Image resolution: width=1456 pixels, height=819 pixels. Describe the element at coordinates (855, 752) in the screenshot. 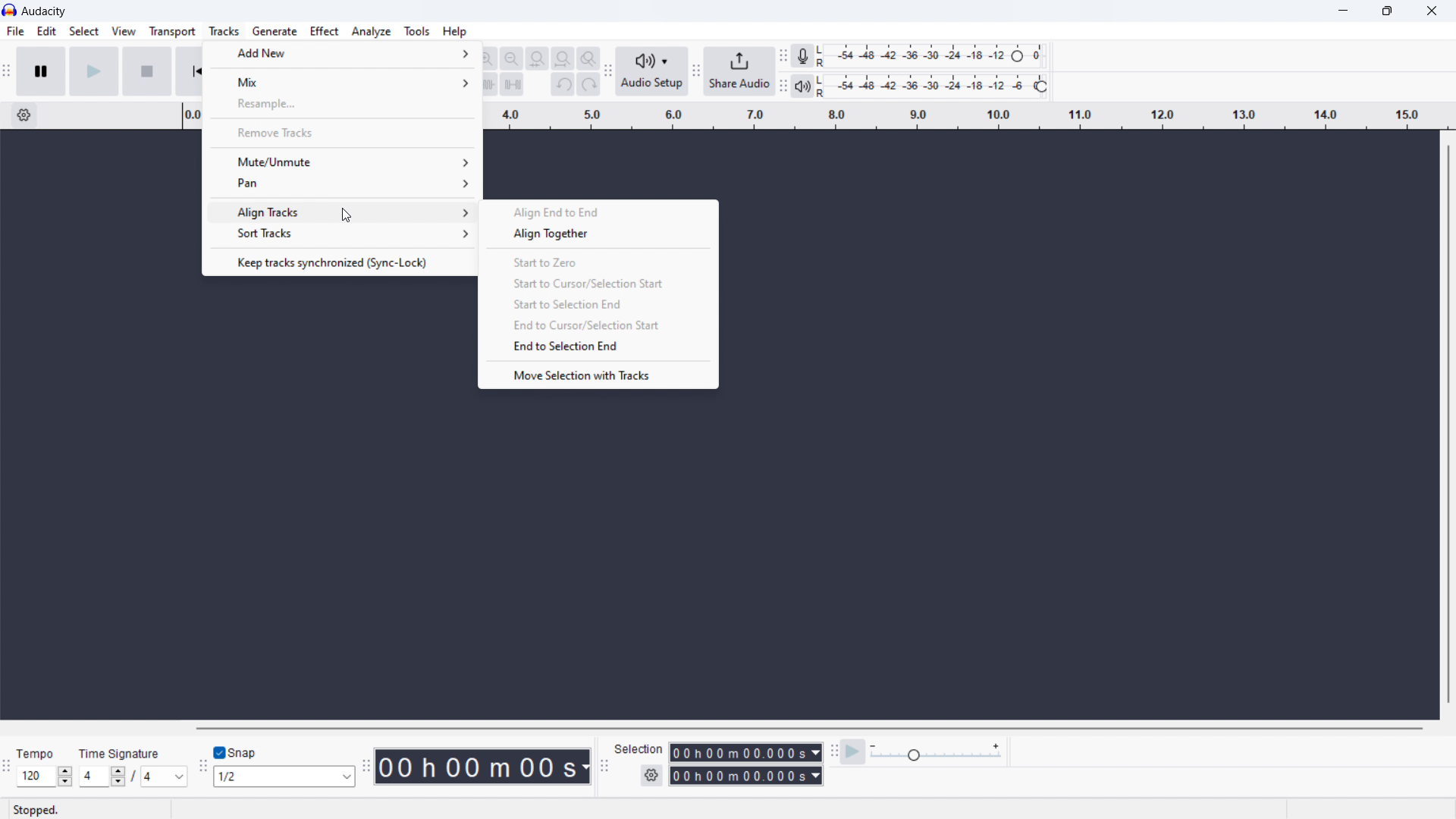

I see `play at speed` at that location.